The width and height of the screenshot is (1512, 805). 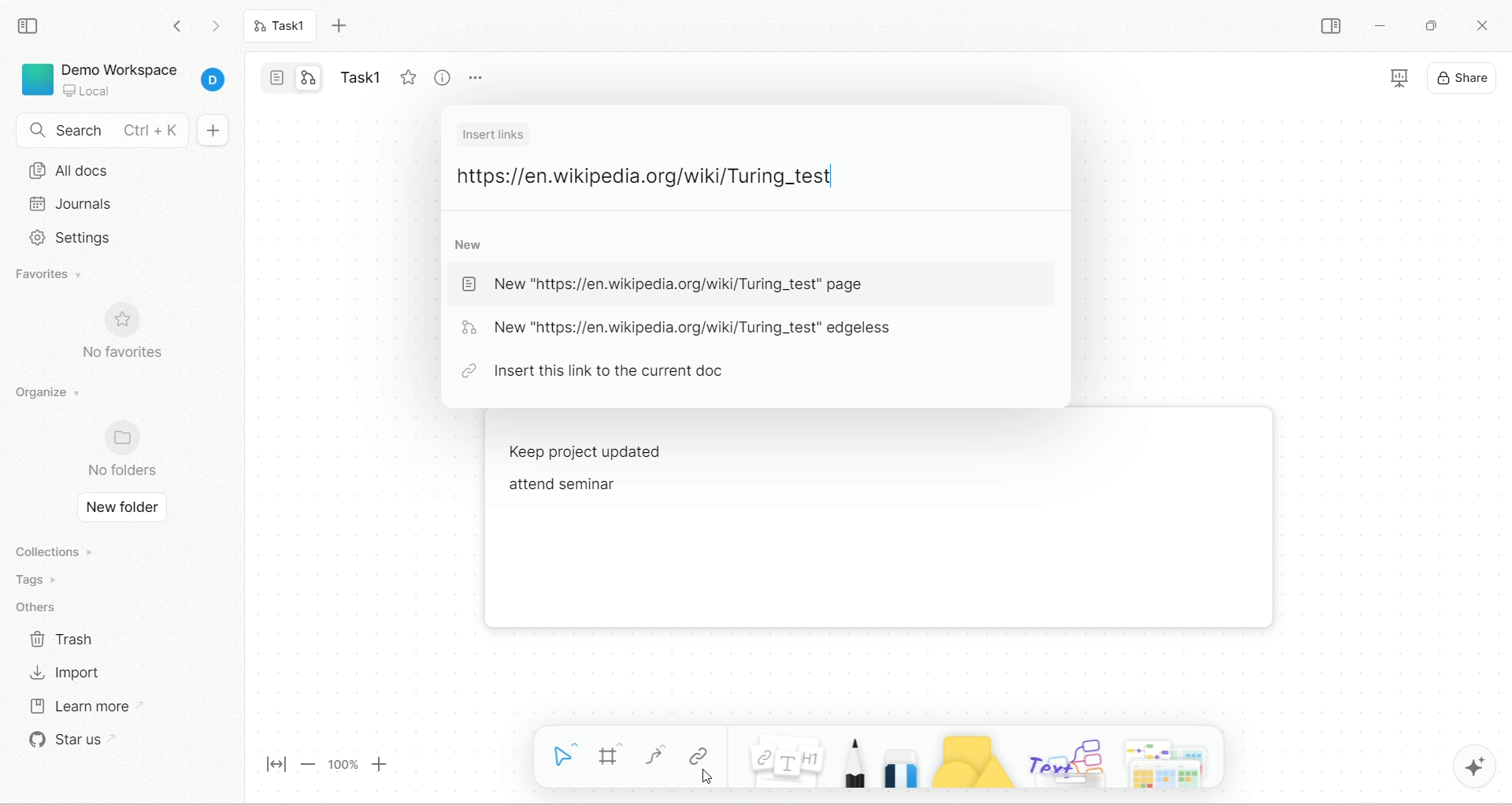 I want to click on all docs, so click(x=120, y=172).